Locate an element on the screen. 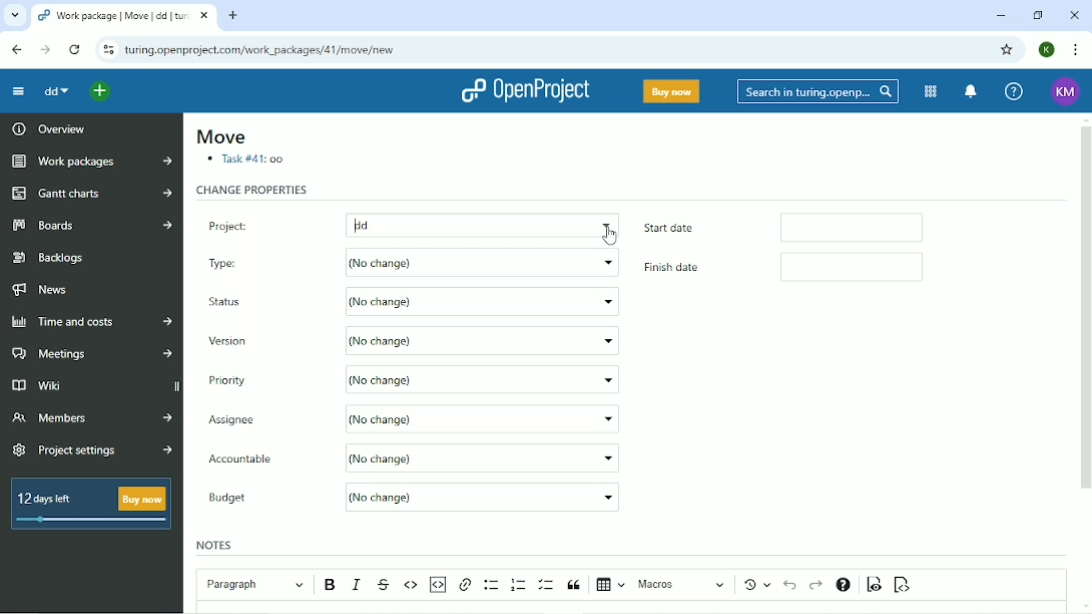 This screenshot has width=1092, height=614. Insert table is located at coordinates (611, 586).